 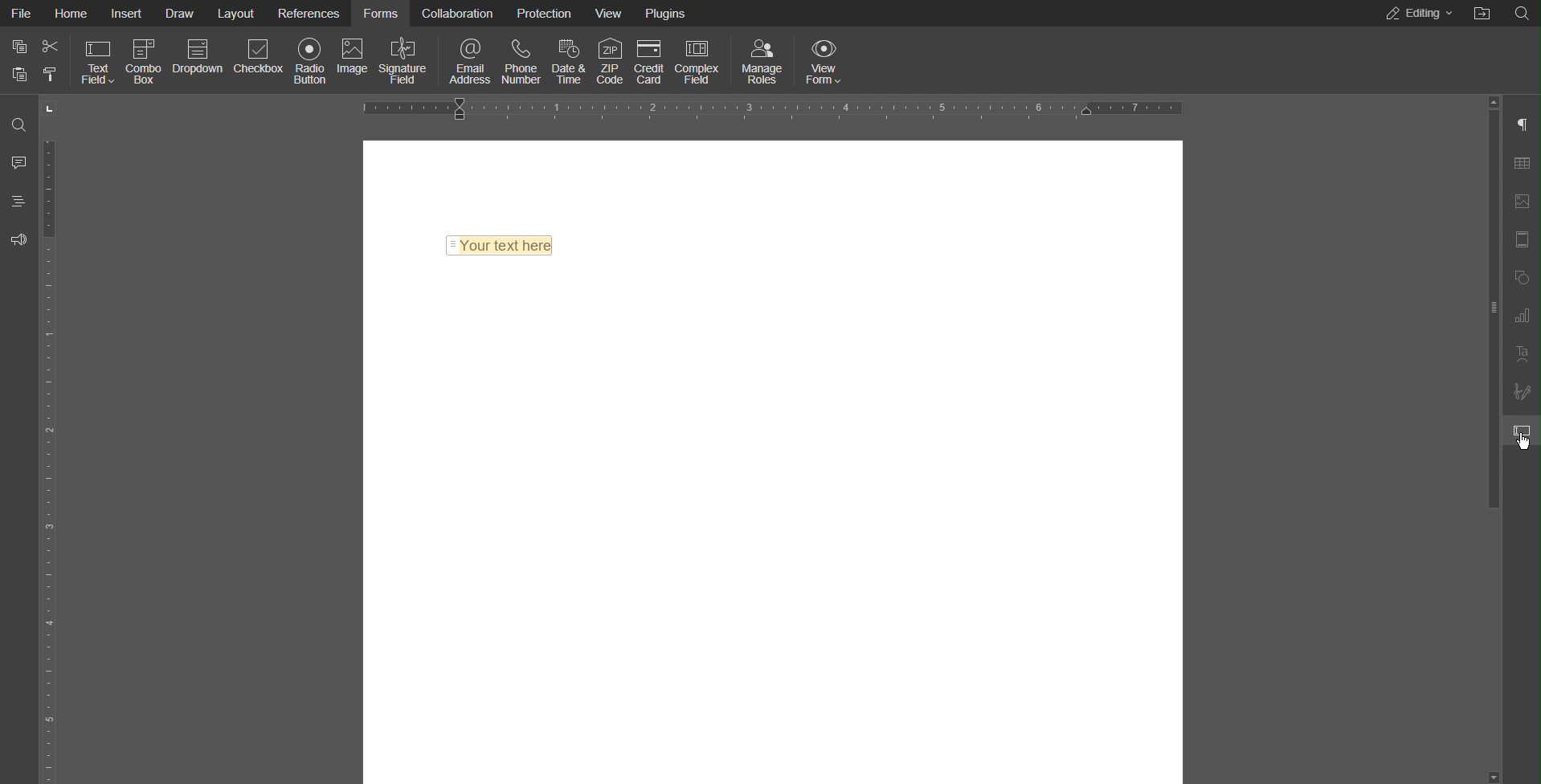 I want to click on Draw, so click(x=180, y=14).